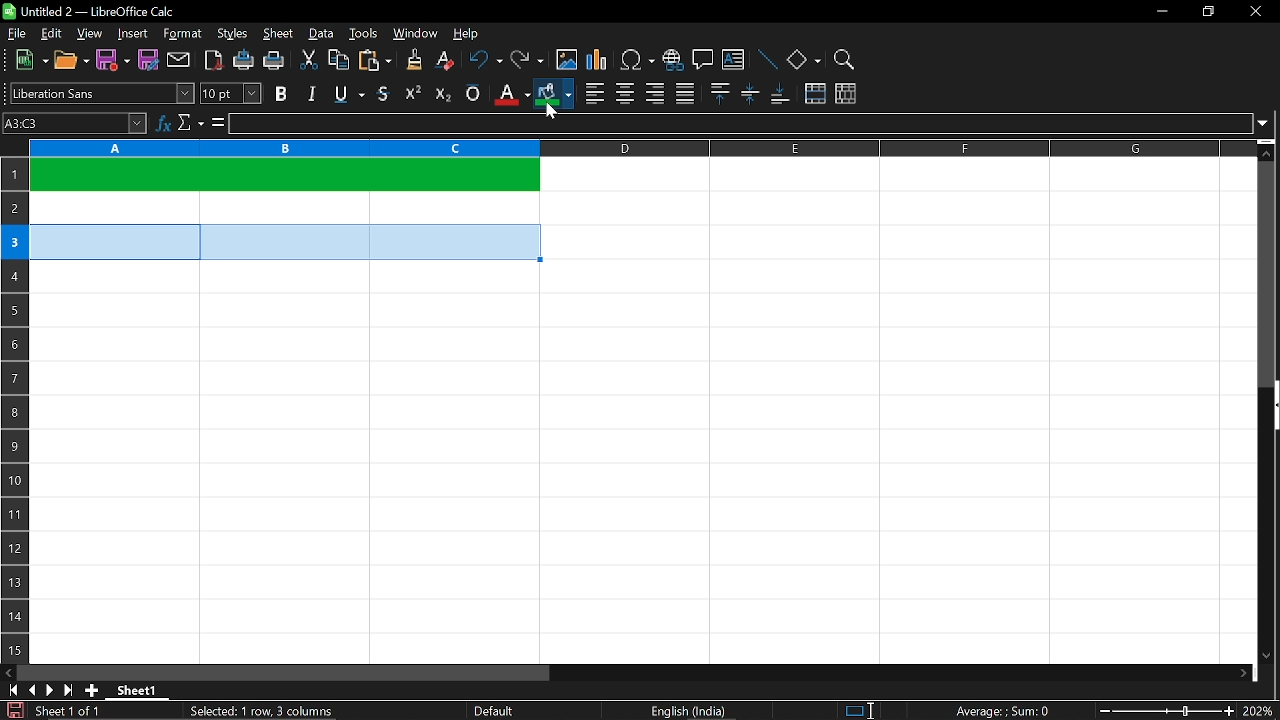 The image size is (1280, 720). What do you see at coordinates (594, 92) in the screenshot?
I see `align left` at bounding box center [594, 92].